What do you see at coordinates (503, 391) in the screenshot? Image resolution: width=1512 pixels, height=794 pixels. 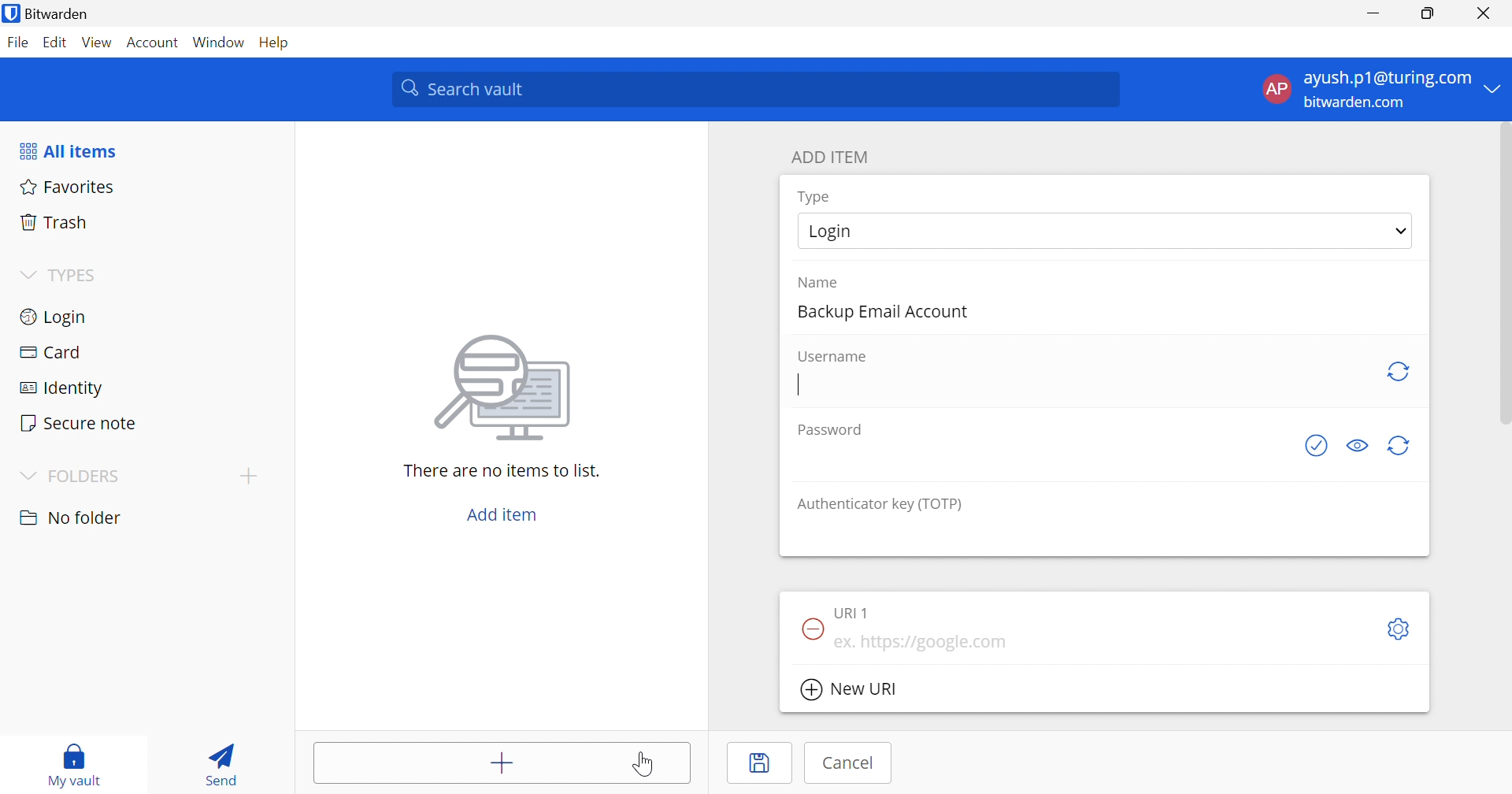 I see `image` at bounding box center [503, 391].